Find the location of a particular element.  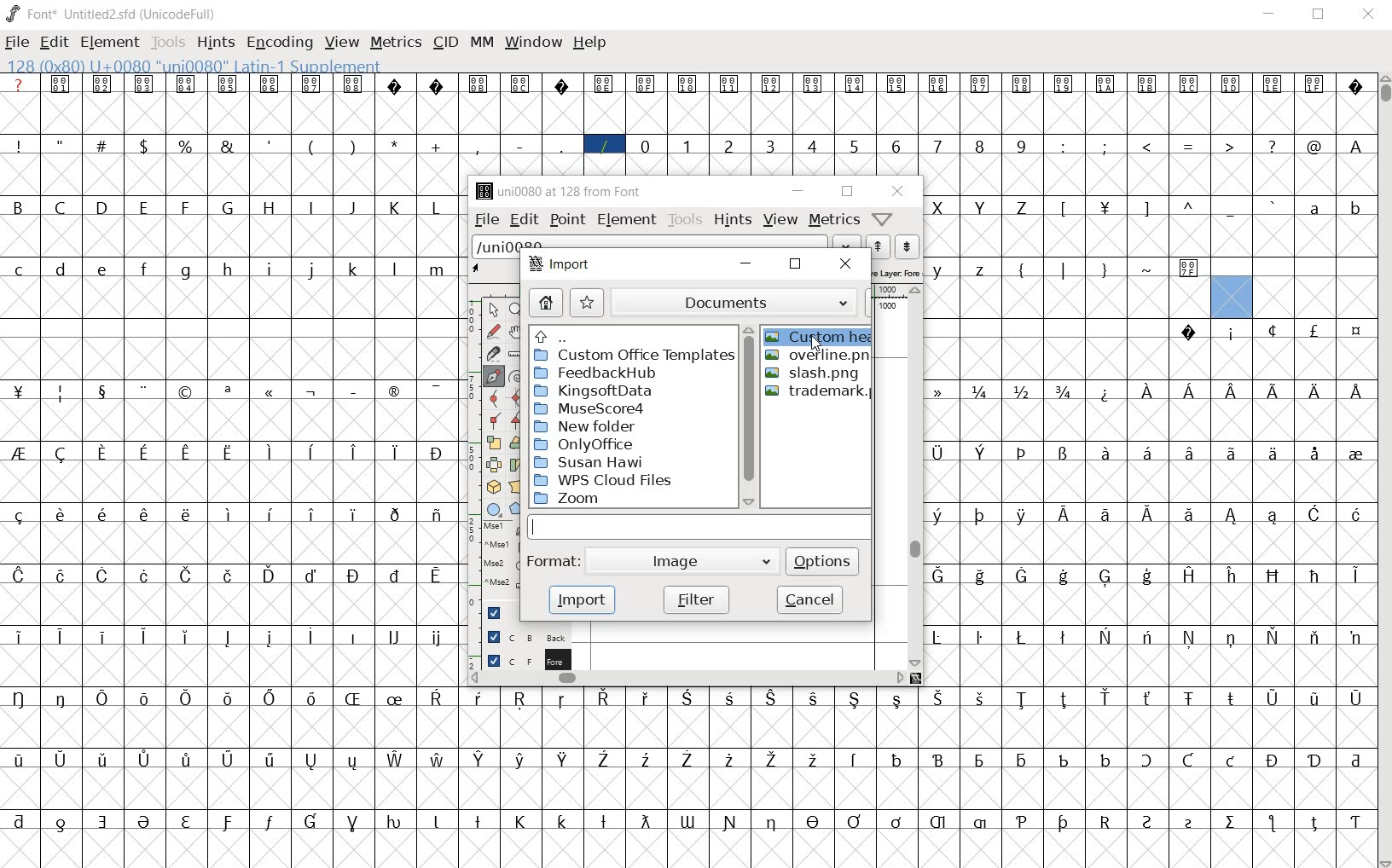

glyph is located at coordinates (187, 637).